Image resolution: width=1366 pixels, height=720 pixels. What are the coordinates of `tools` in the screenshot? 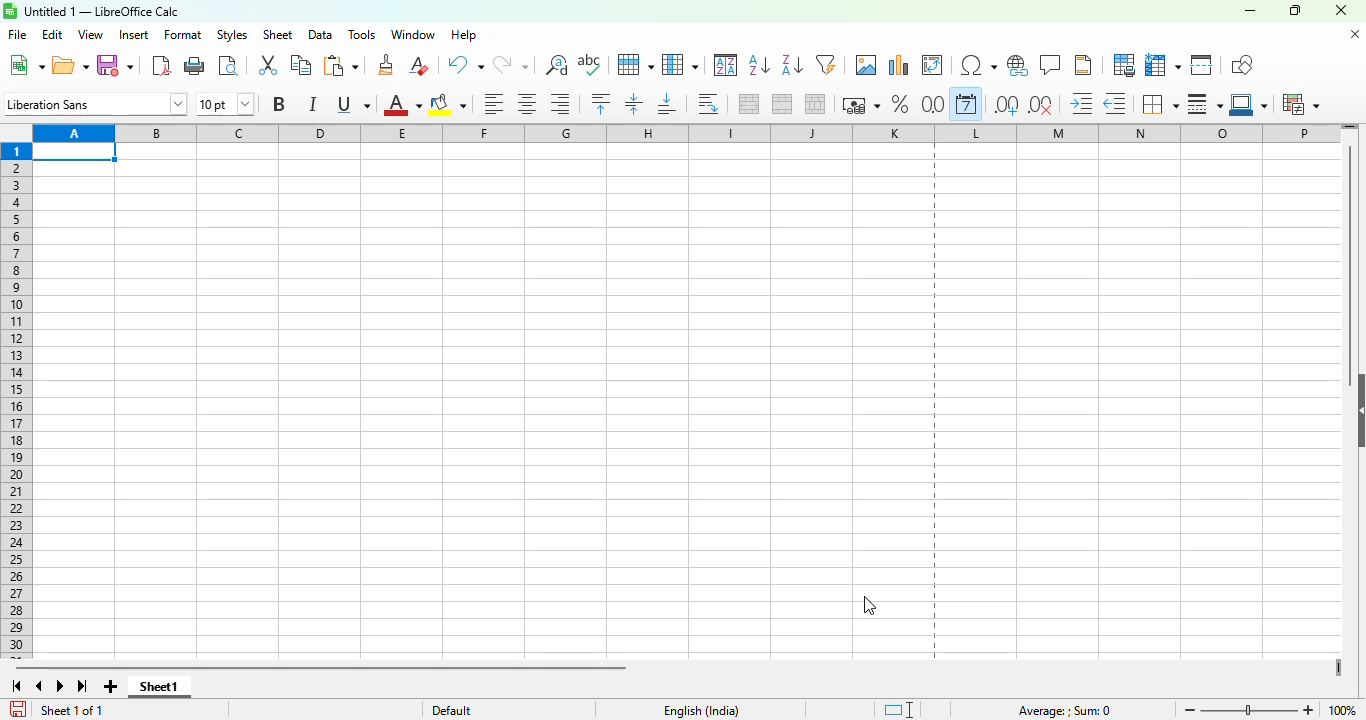 It's located at (362, 34).